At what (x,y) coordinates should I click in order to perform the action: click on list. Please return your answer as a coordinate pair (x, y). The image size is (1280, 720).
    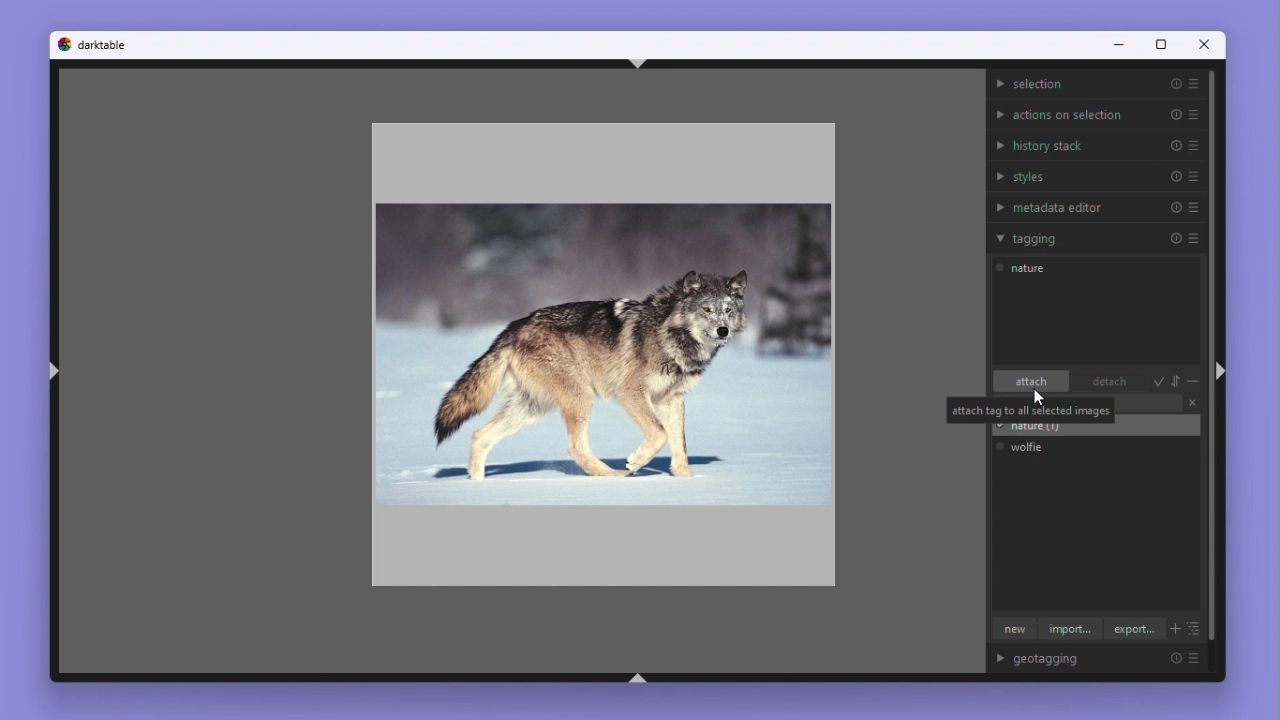
    Looking at the image, I should click on (1195, 630).